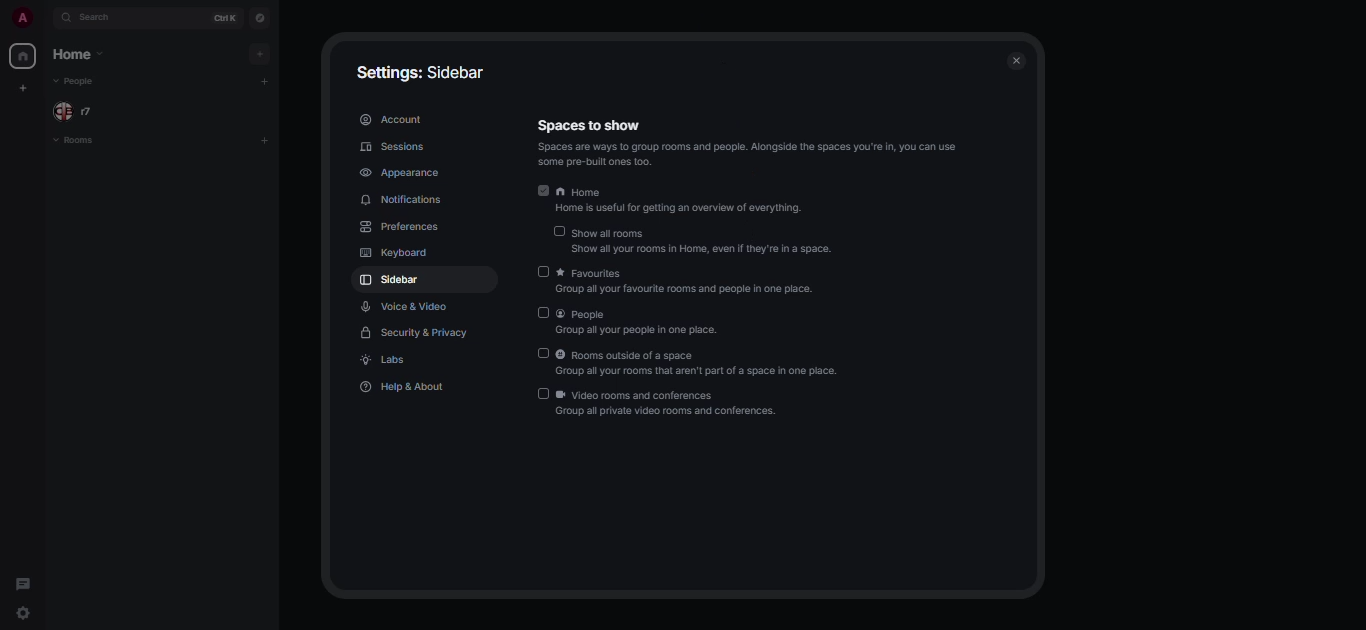 The height and width of the screenshot is (630, 1366). Describe the element at coordinates (407, 307) in the screenshot. I see `voice & video` at that location.